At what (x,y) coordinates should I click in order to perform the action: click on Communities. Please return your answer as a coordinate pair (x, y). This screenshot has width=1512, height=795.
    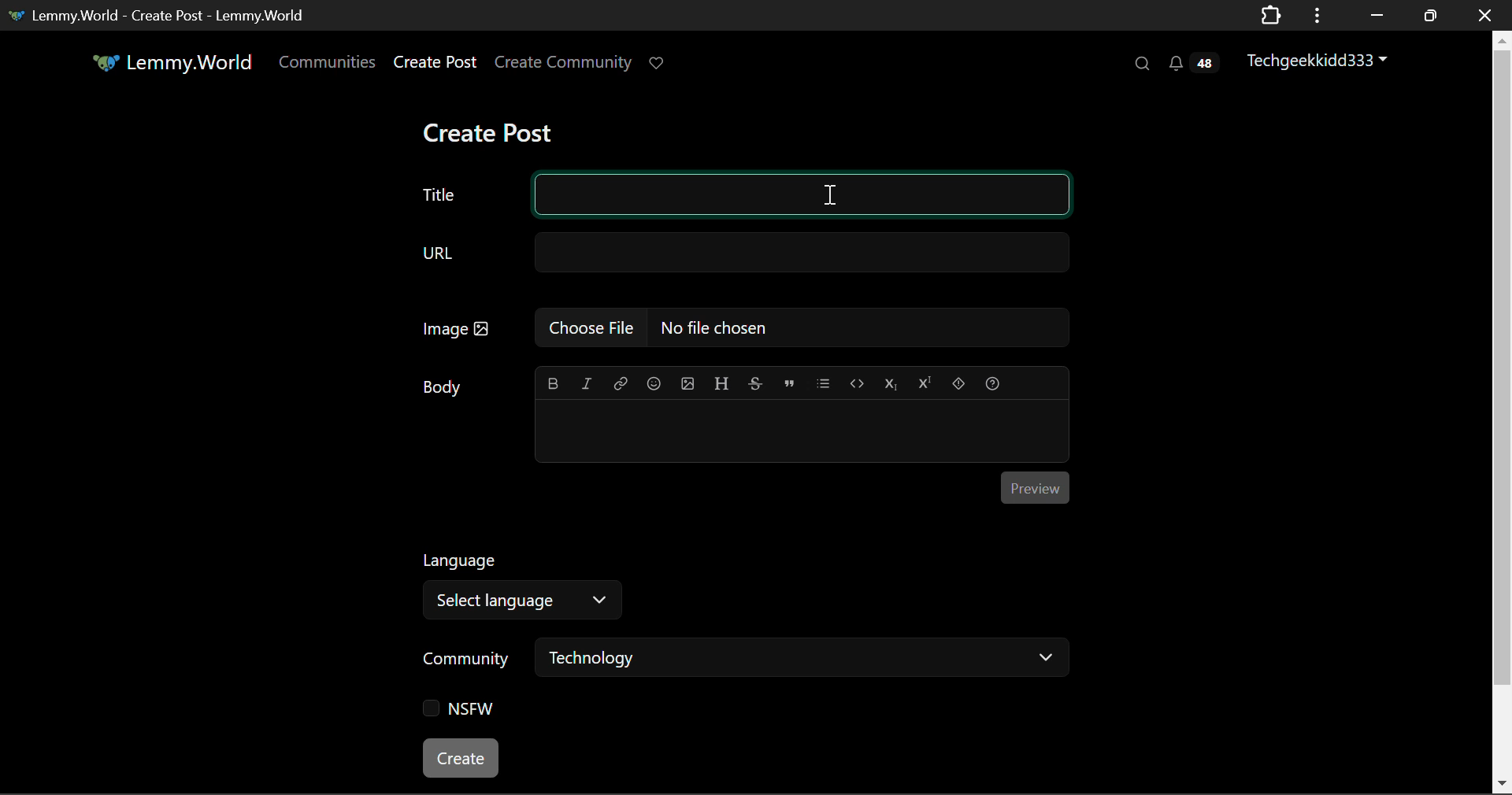
    Looking at the image, I should click on (328, 65).